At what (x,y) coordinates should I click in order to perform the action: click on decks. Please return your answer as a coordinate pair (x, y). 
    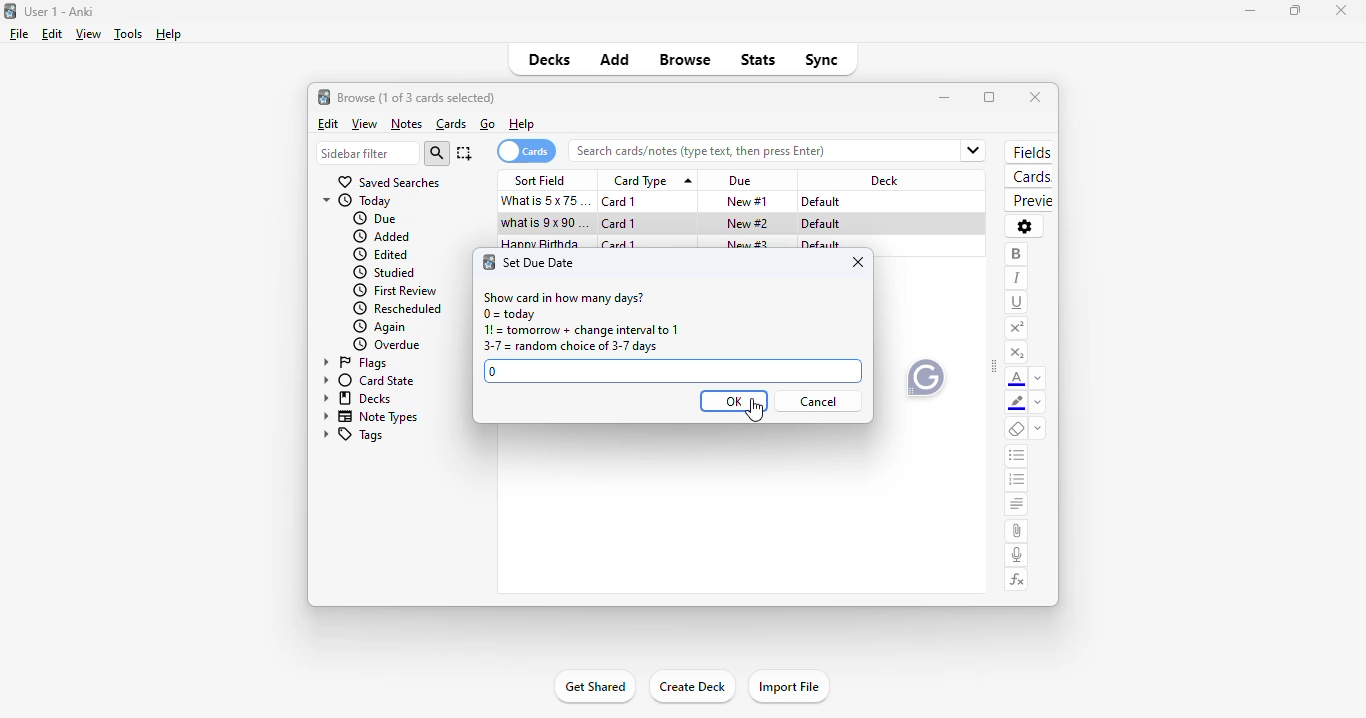
    Looking at the image, I should click on (355, 398).